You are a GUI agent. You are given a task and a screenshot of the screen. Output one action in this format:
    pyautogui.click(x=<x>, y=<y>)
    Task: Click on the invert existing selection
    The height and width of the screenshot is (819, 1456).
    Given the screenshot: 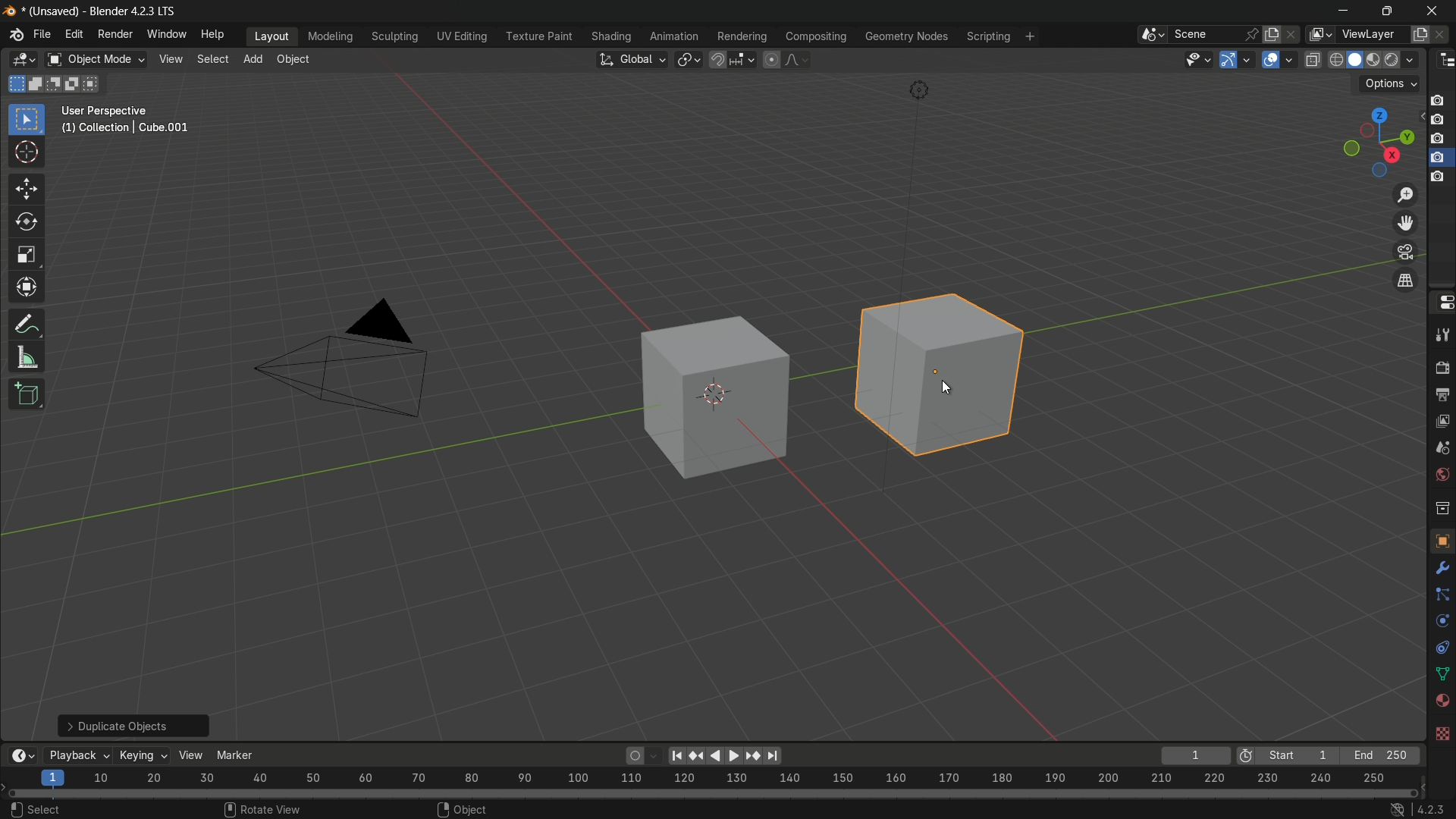 What is the action you would take?
    pyautogui.click(x=74, y=83)
    